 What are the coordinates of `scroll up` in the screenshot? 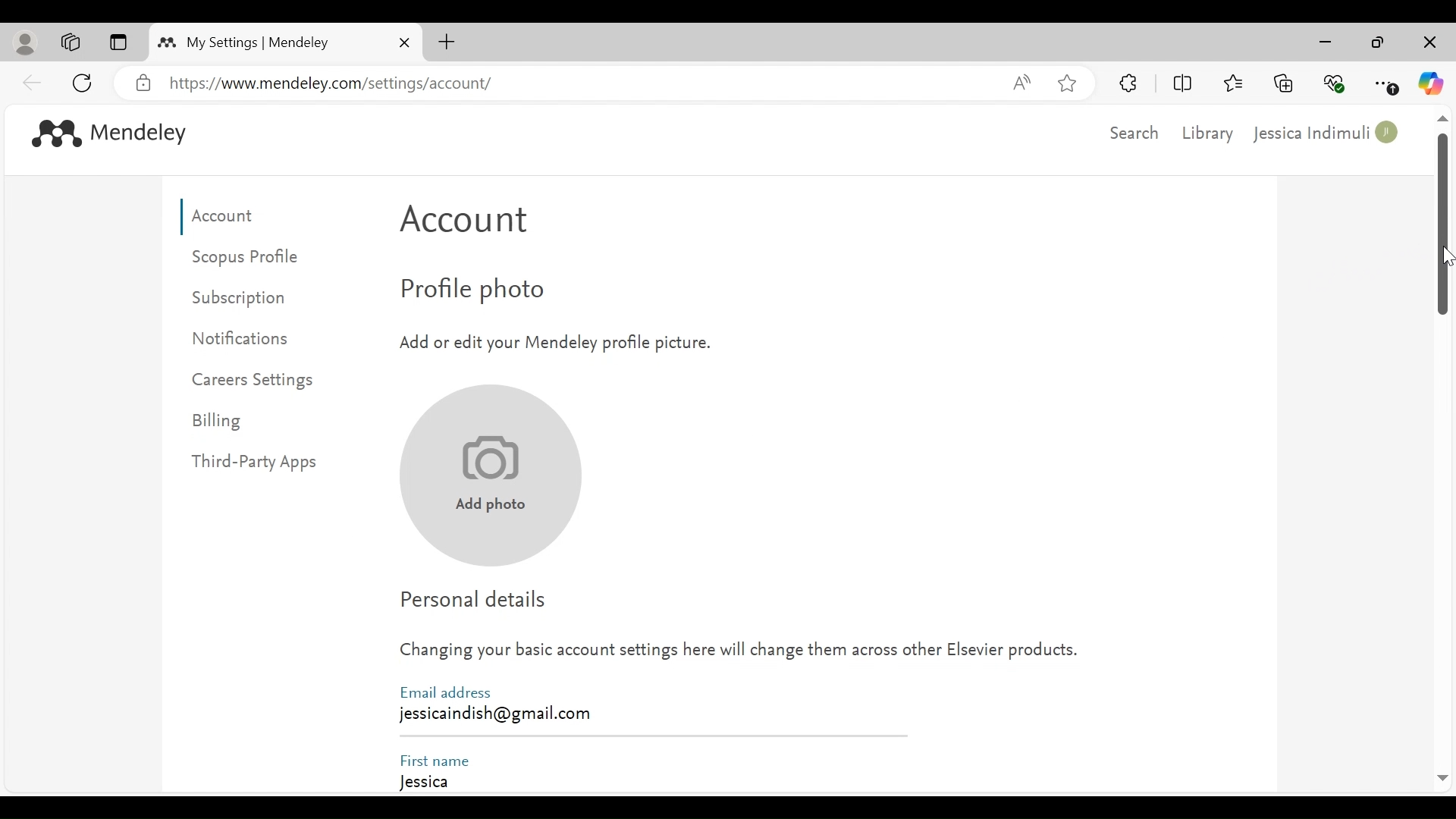 It's located at (1442, 120).